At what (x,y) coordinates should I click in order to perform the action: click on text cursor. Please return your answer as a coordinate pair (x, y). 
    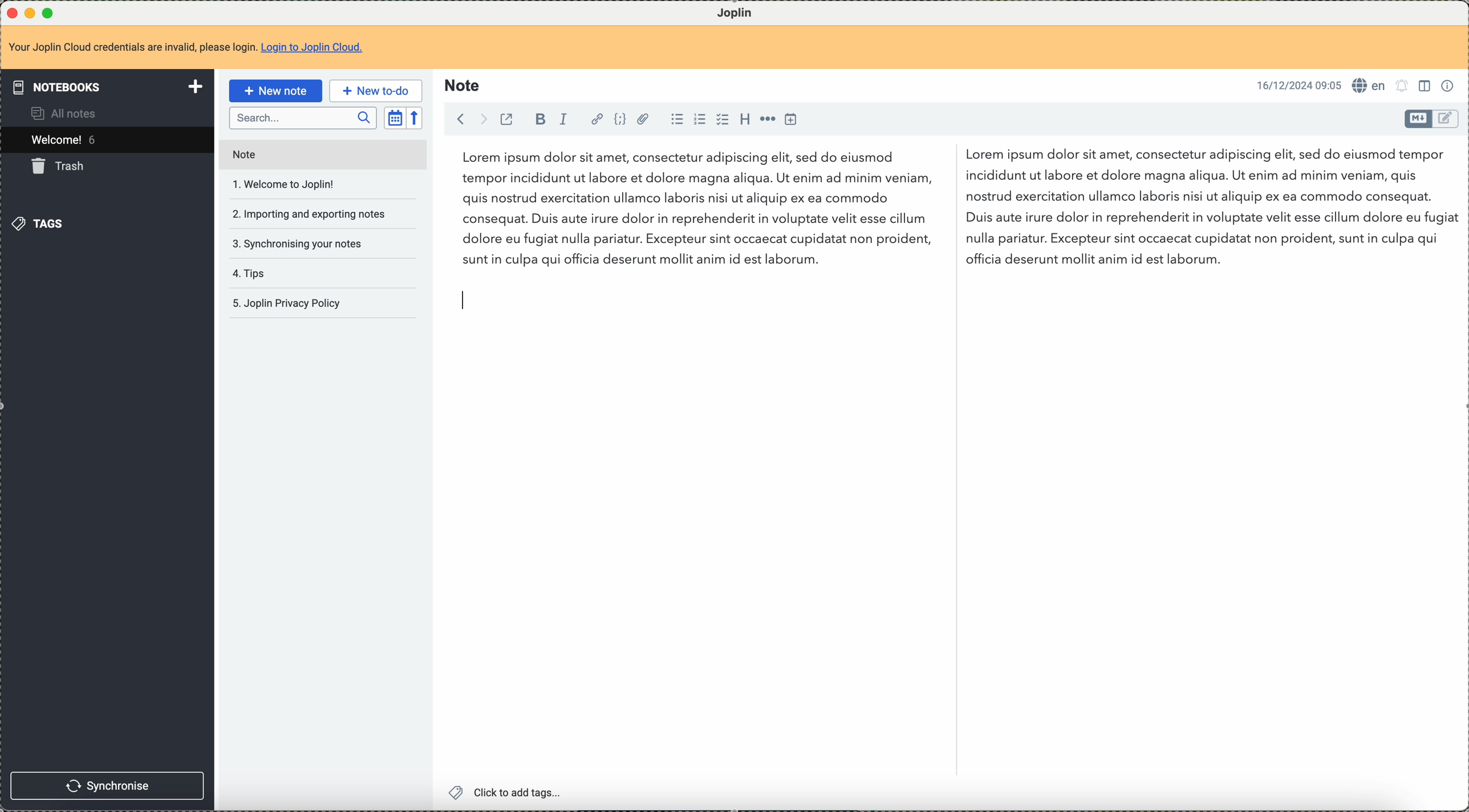
    Looking at the image, I should click on (460, 301).